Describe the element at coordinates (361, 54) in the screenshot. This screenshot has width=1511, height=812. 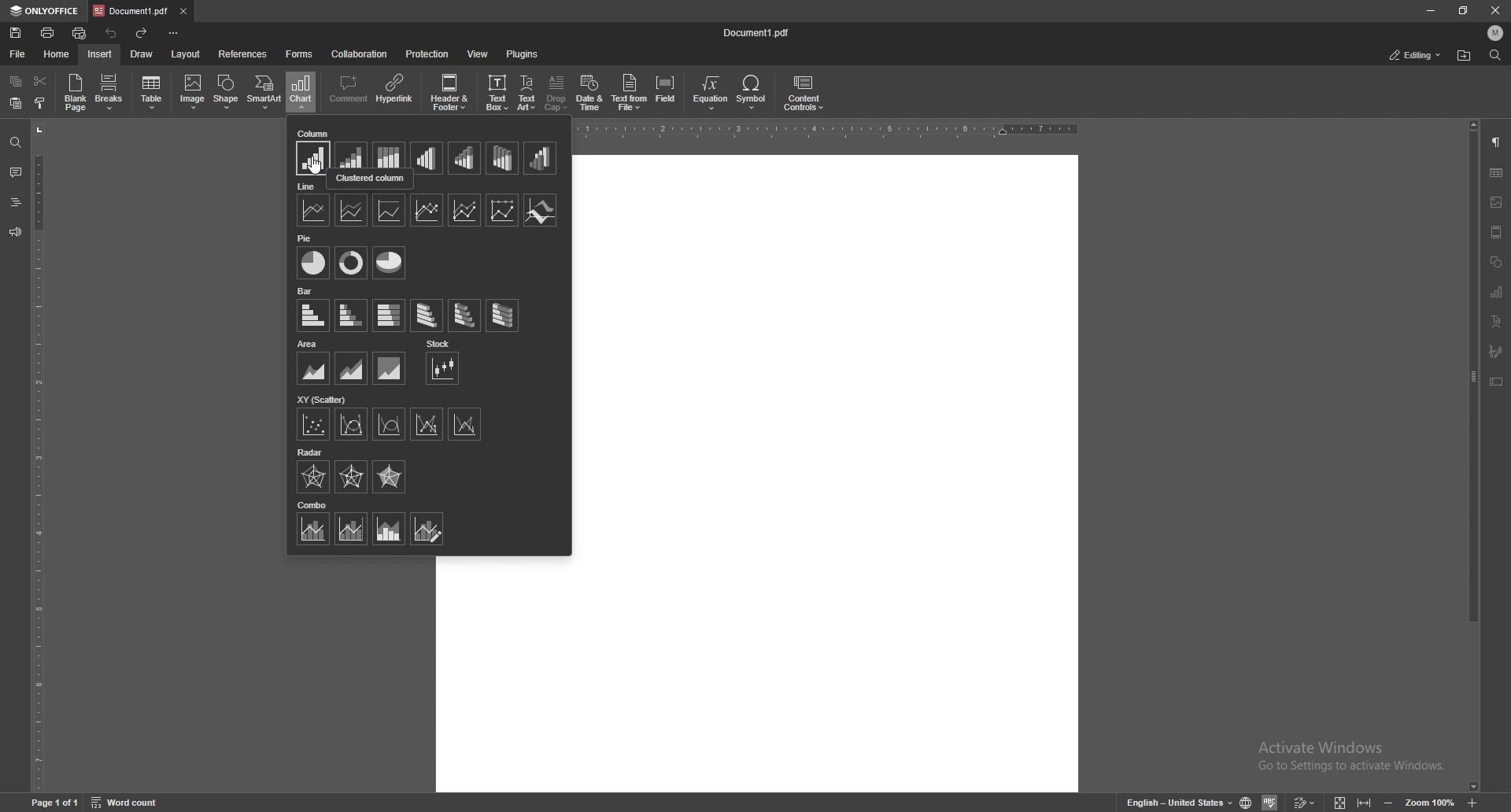
I see `collaboration` at that location.